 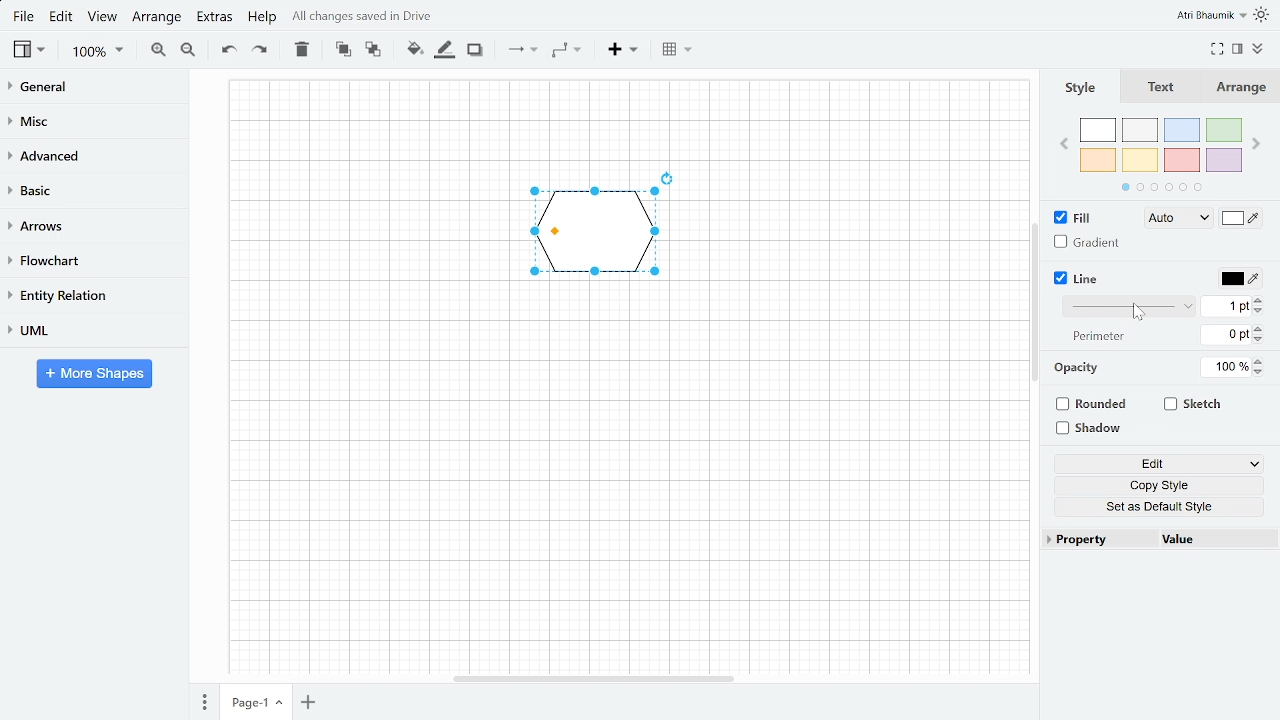 What do you see at coordinates (1073, 279) in the screenshot?
I see `Line` at bounding box center [1073, 279].